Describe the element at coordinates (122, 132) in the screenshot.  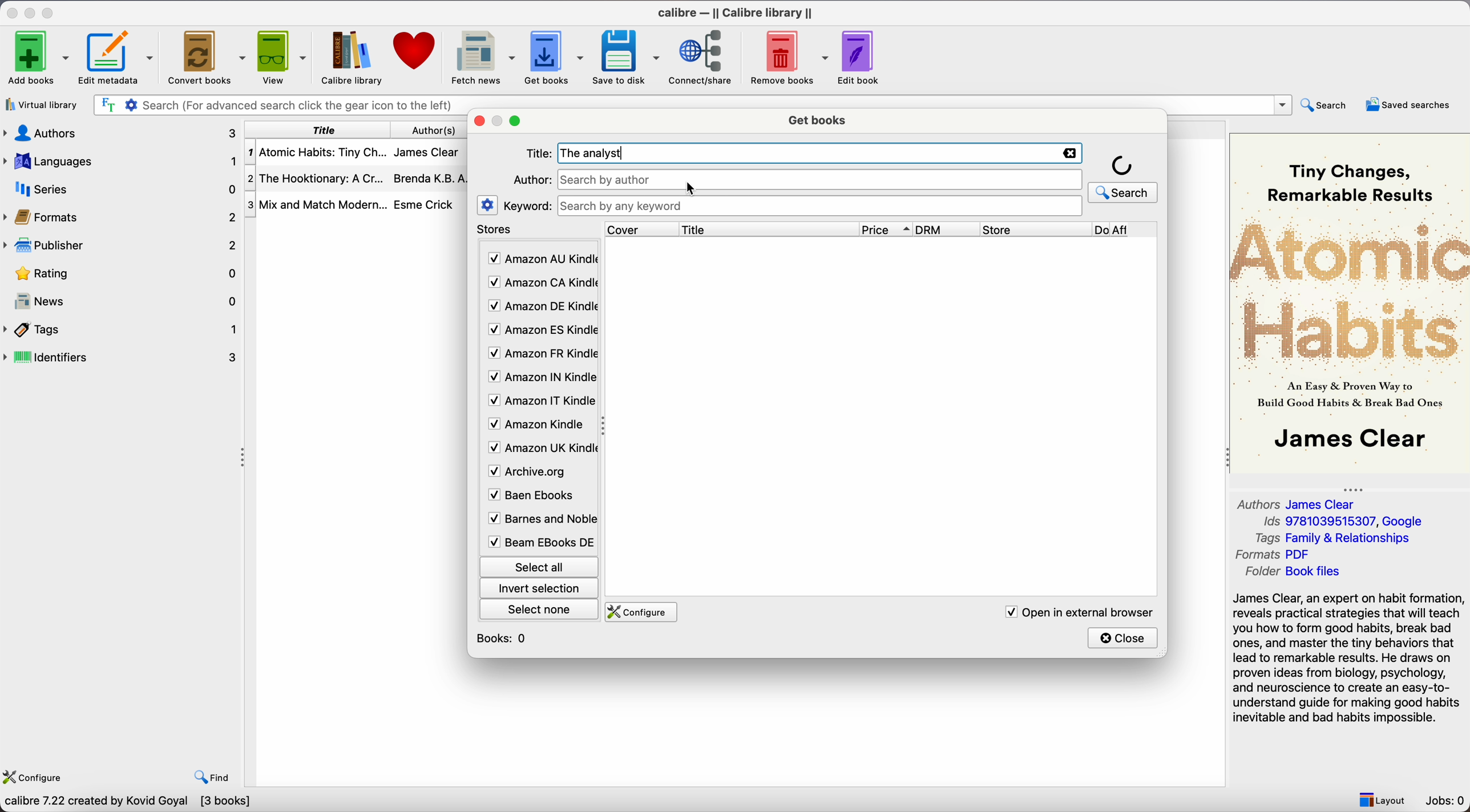
I see `authors` at that location.